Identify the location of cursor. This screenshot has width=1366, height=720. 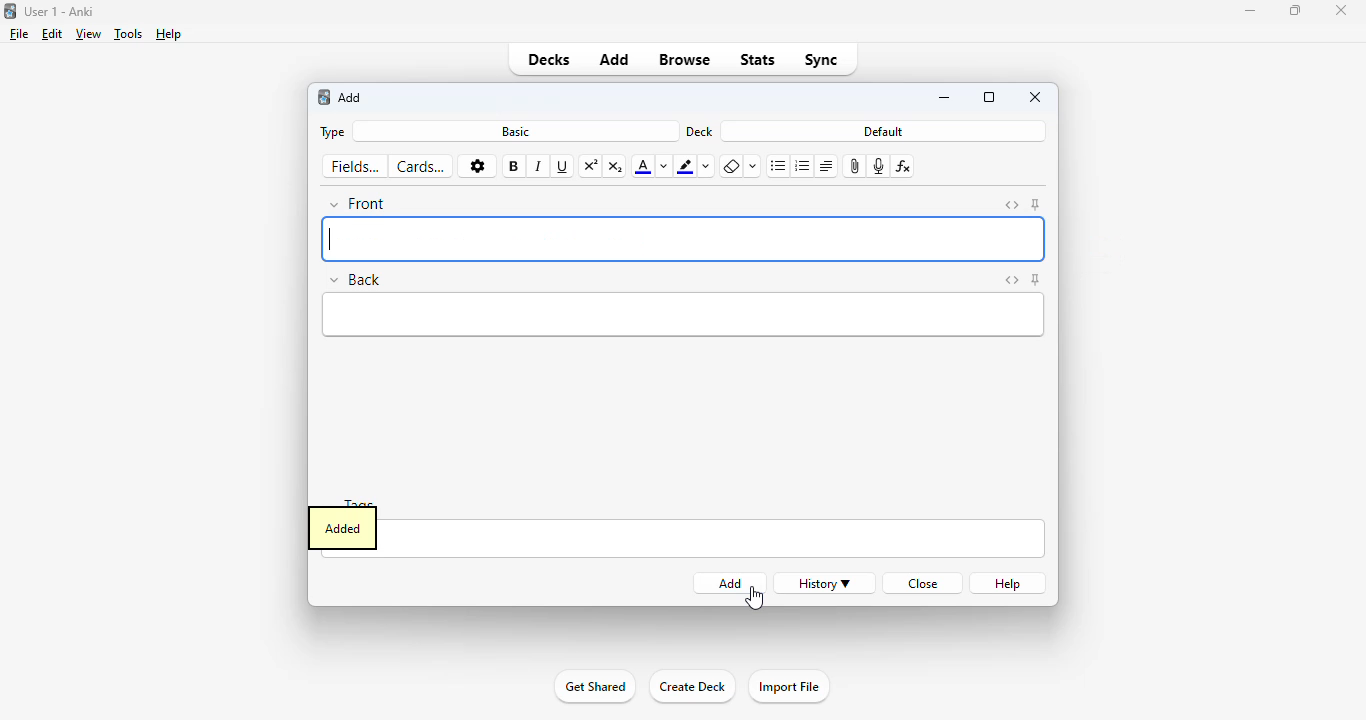
(754, 598).